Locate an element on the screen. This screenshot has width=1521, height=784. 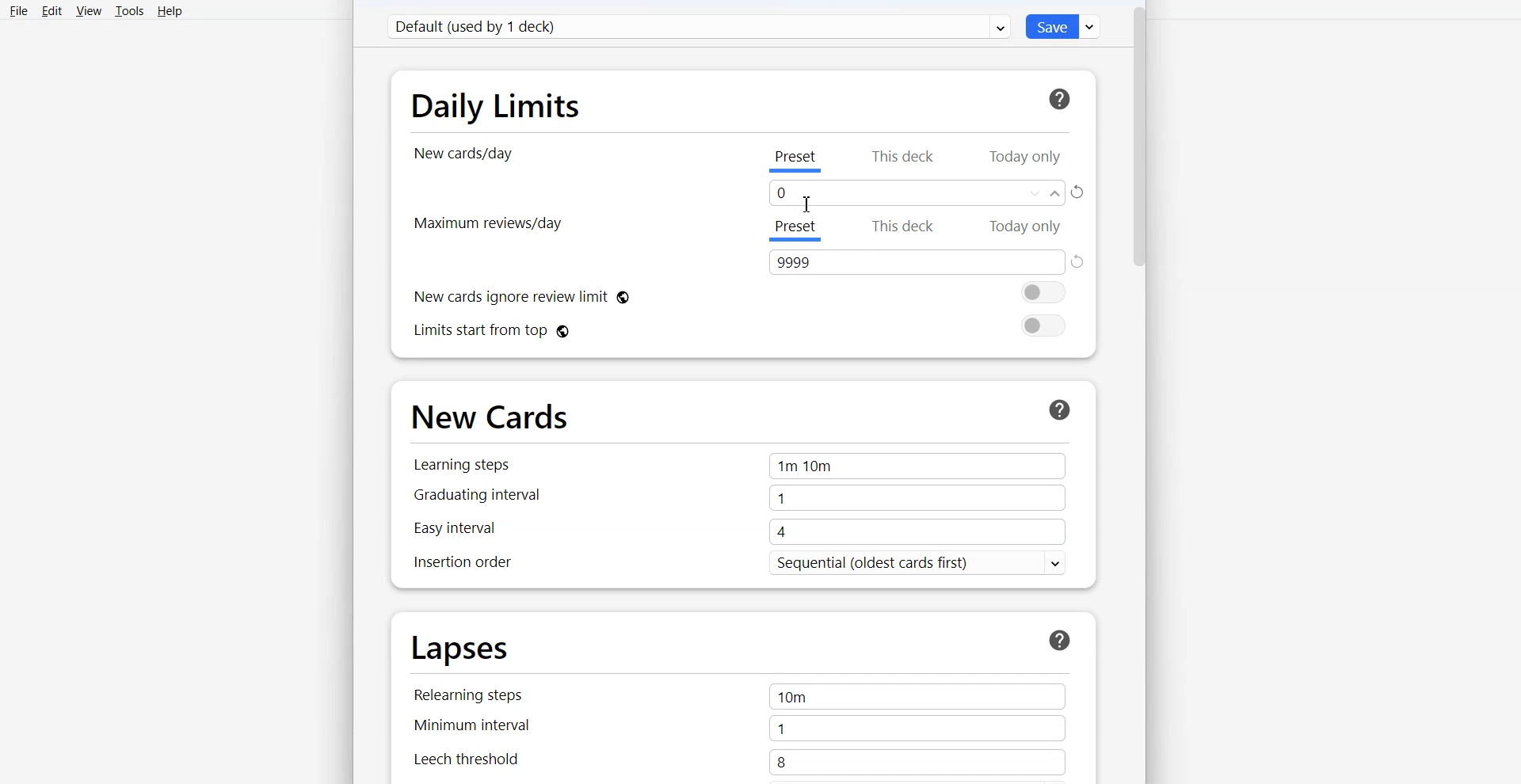
View is located at coordinates (88, 11).